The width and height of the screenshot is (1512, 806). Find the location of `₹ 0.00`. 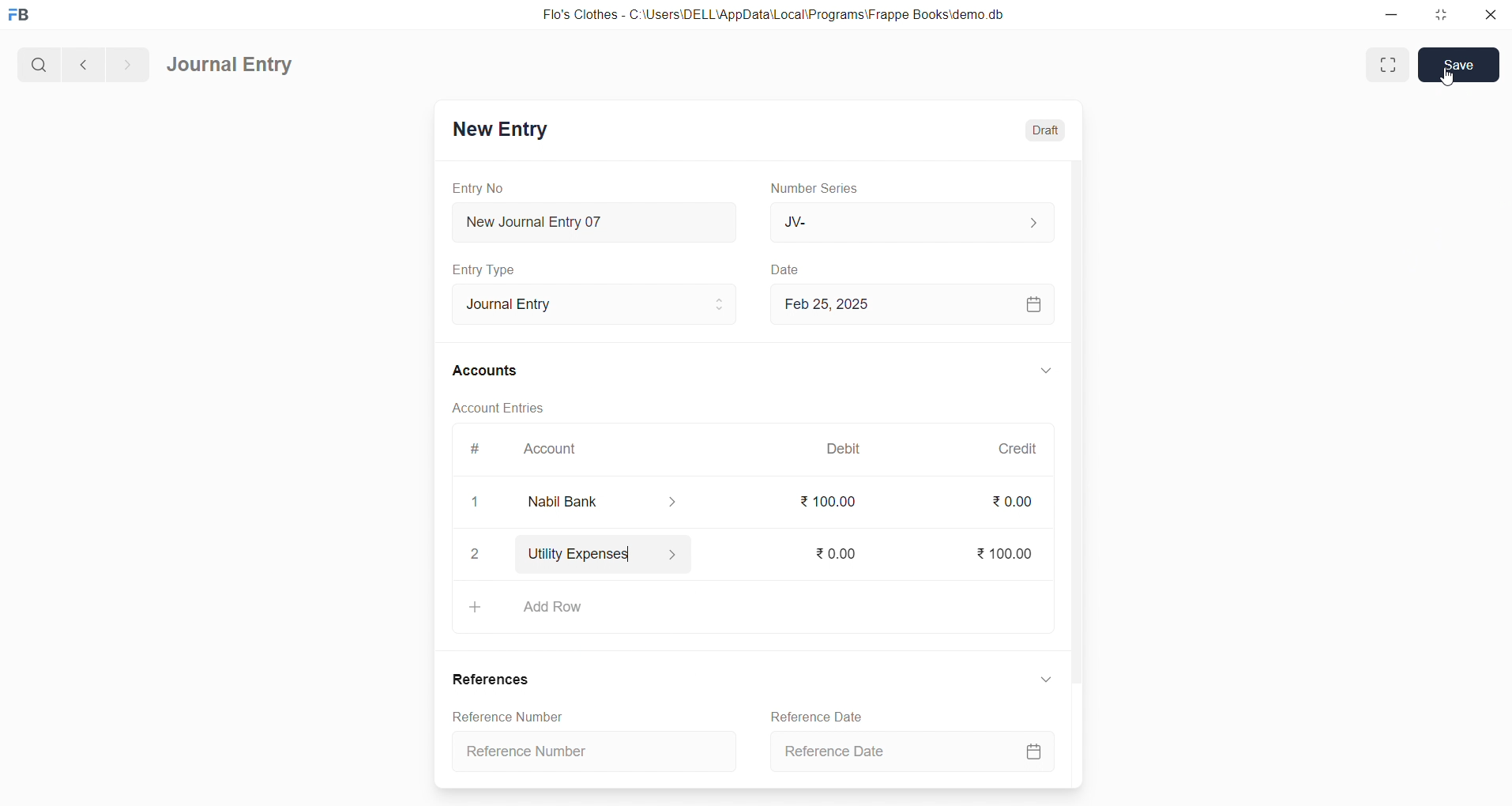

₹ 0.00 is located at coordinates (832, 551).